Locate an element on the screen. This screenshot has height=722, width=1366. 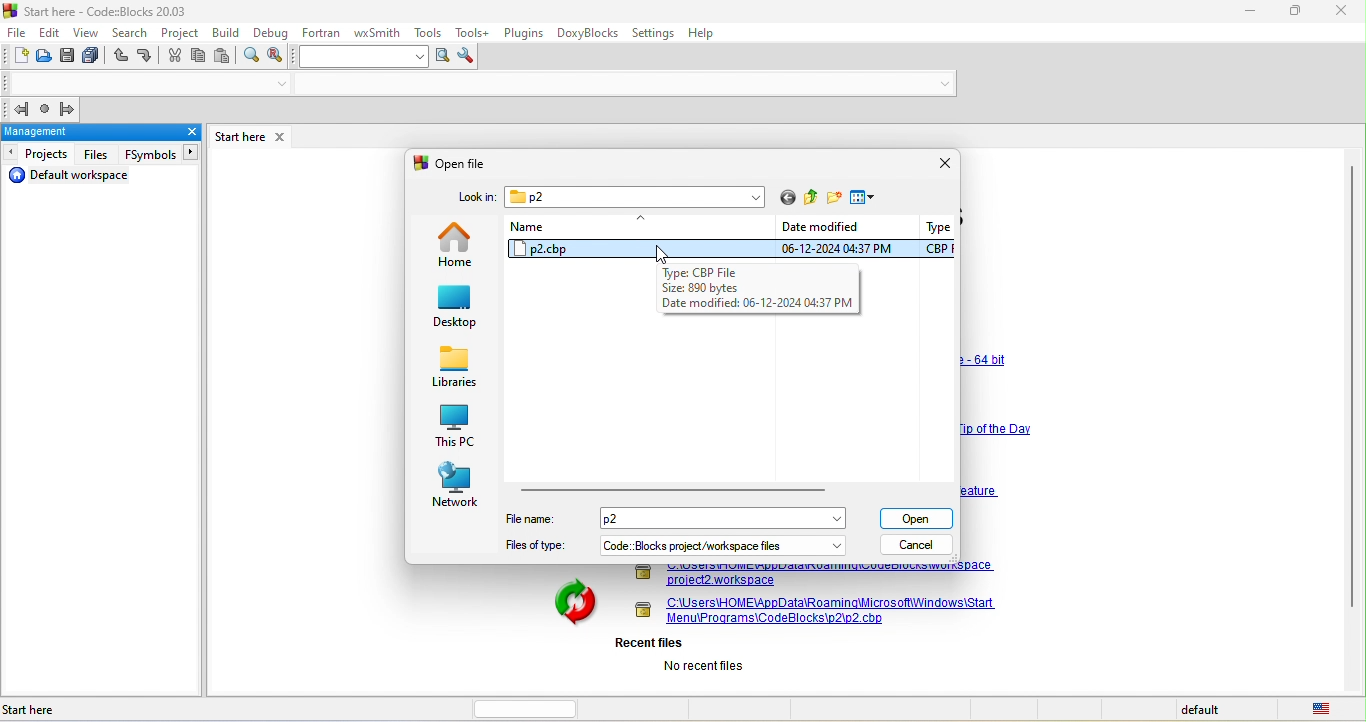
recent files is located at coordinates (681, 655).